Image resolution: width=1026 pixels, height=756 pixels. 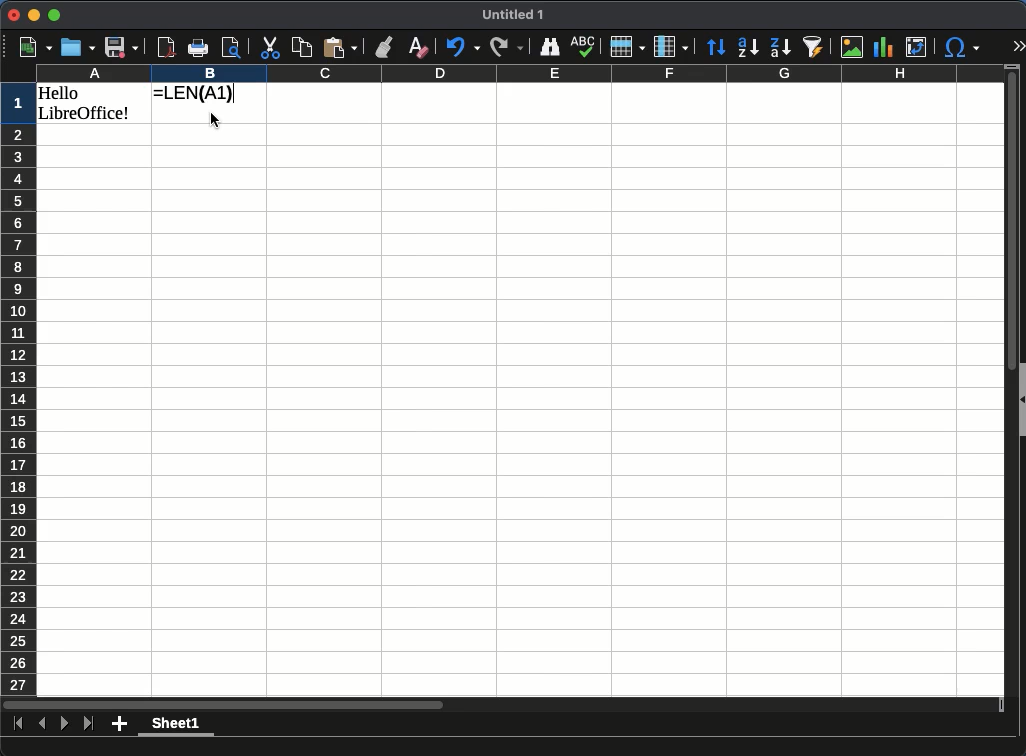 I want to click on rows, so click(x=17, y=391).